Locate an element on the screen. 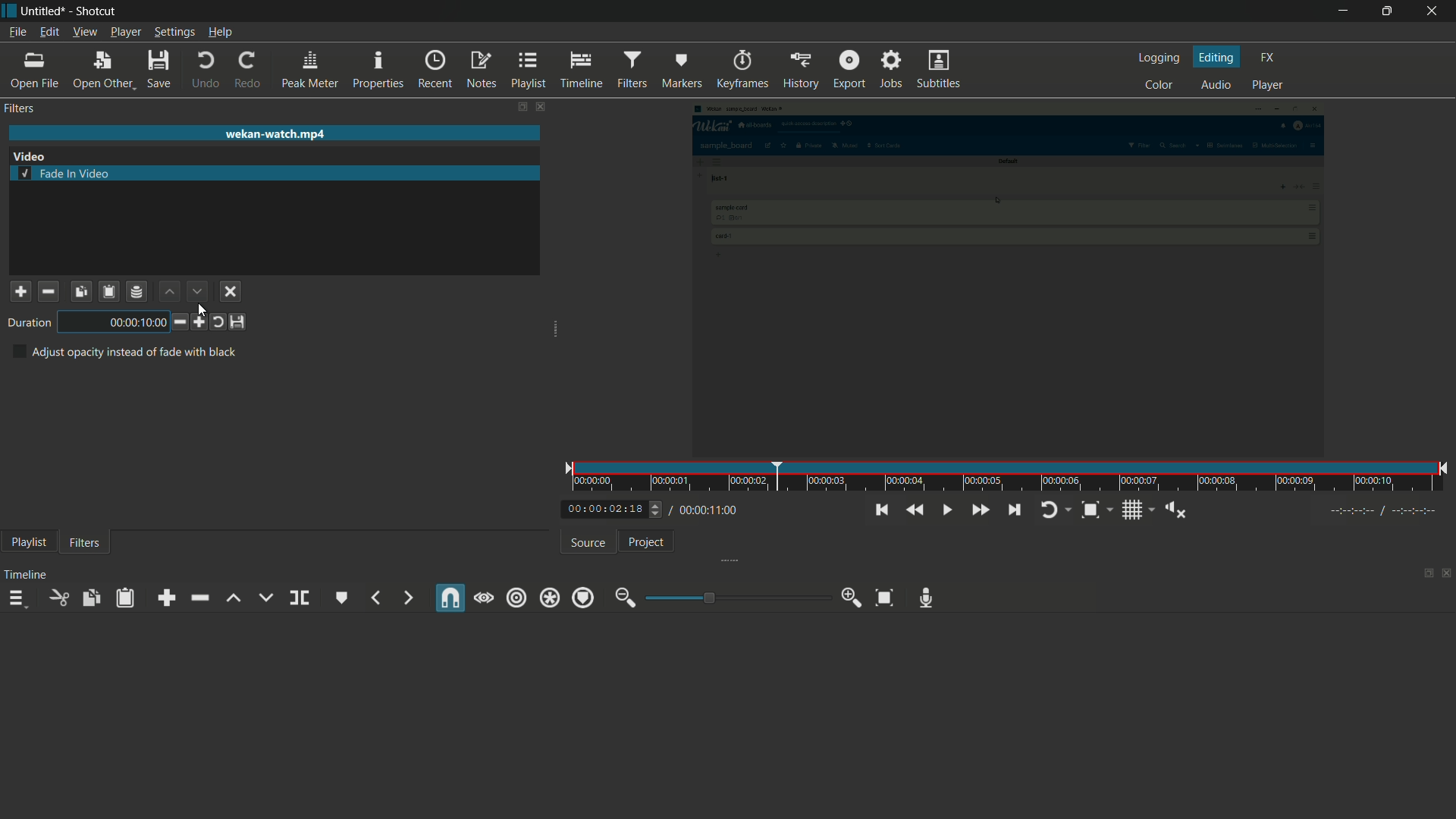 This screenshot has height=819, width=1456. close app is located at coordinates (1434, 12).